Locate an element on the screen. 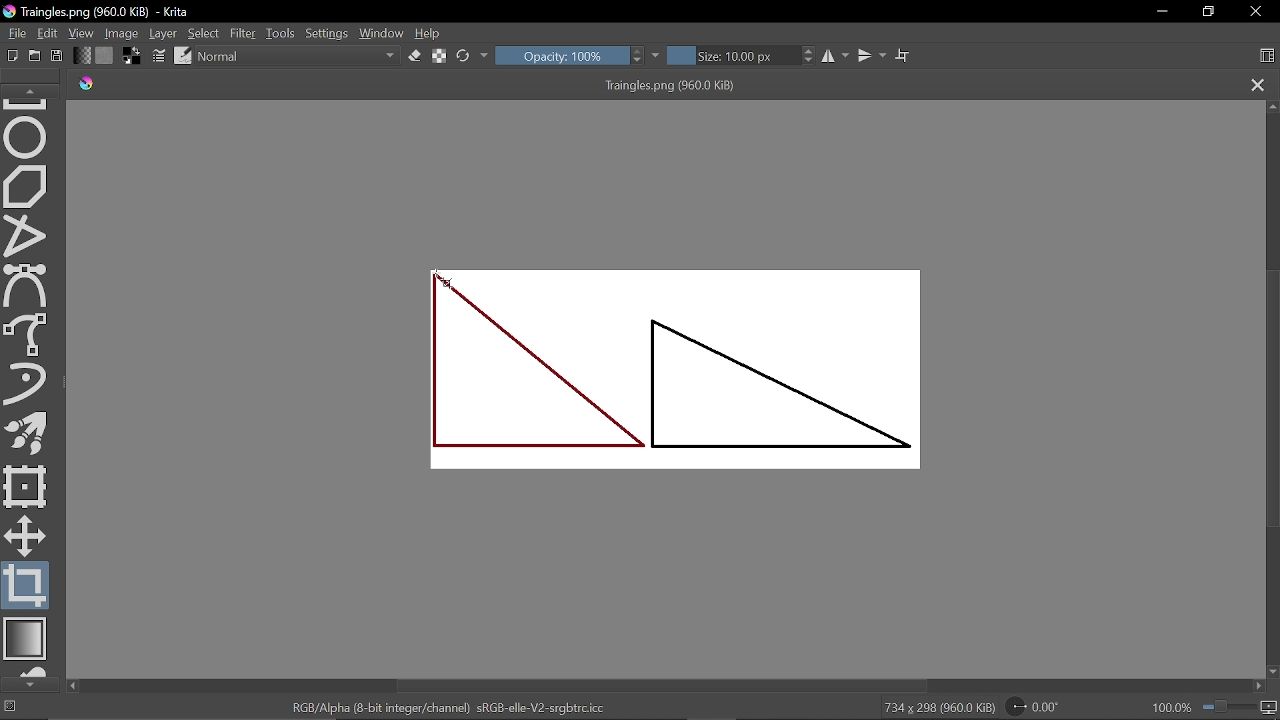  Settings is located at coordinates (327, 34).